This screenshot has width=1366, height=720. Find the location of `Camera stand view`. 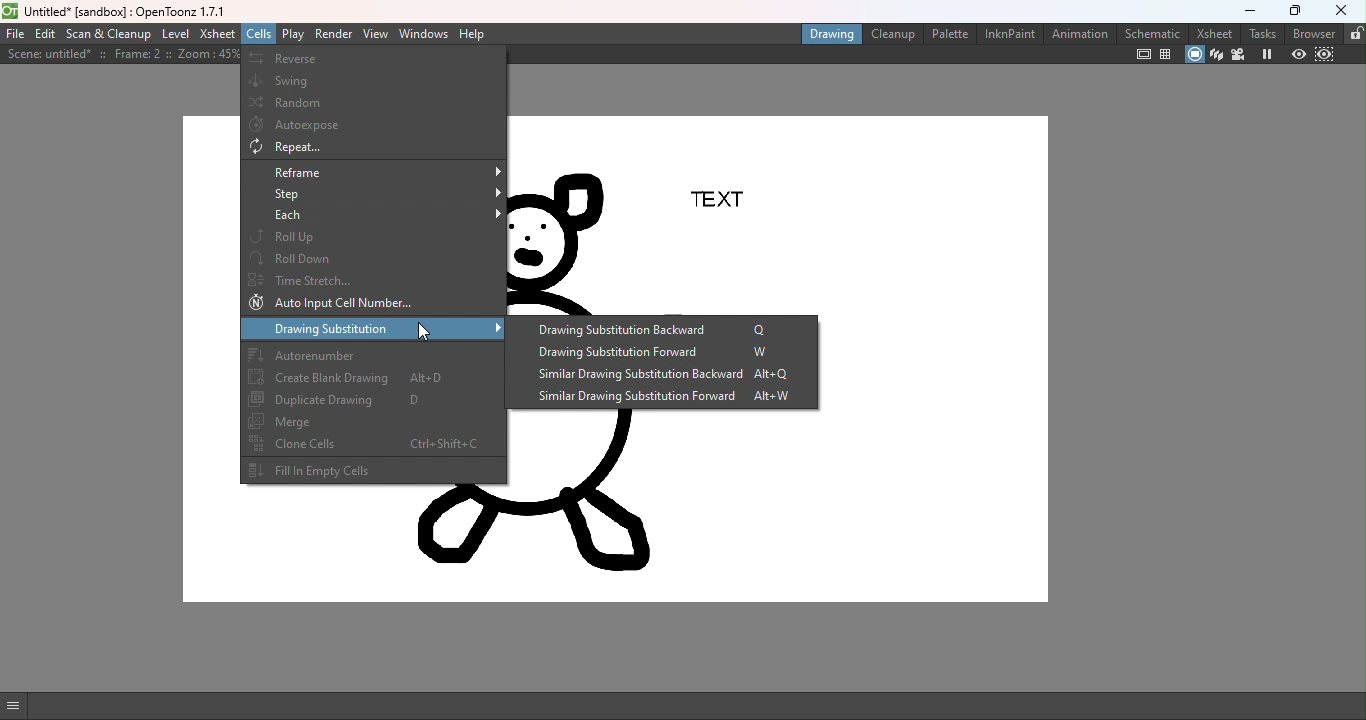

Camera stand view is located at coordinates (1193, 55).